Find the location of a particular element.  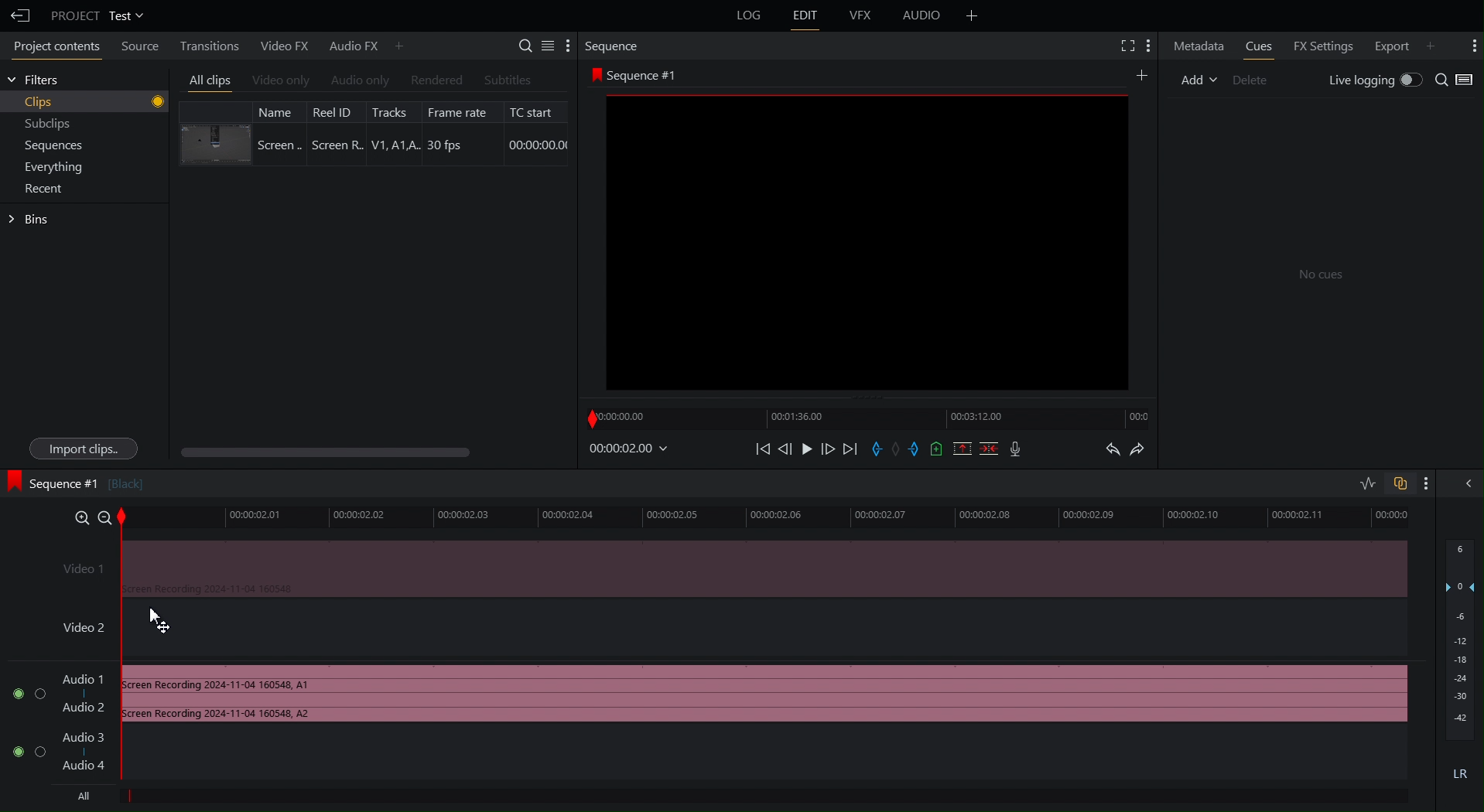

Audio Track 1 is located at coordinates (703, 695).